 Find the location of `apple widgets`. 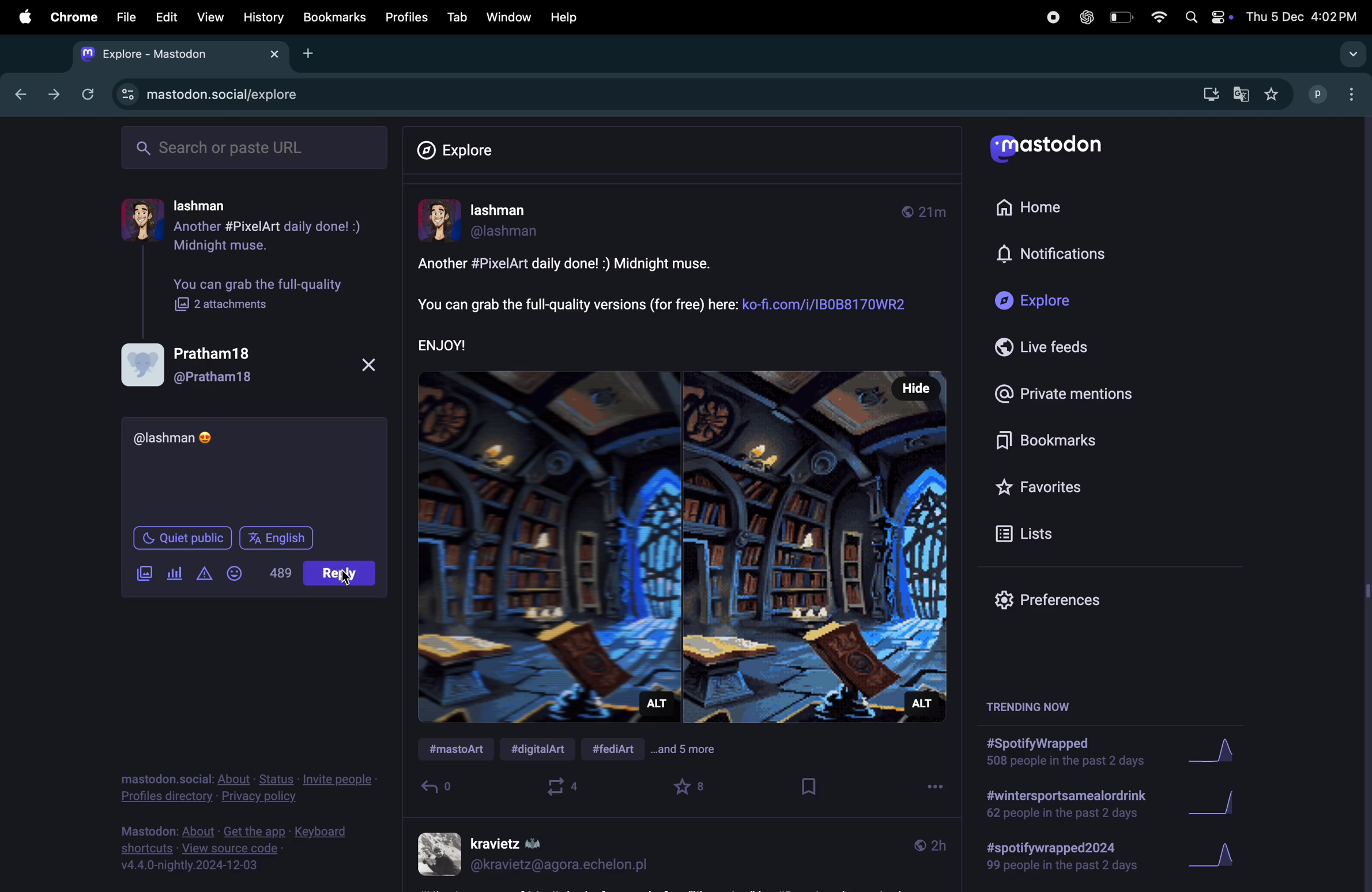

apple widgets is located at coordinates (1207, 17).